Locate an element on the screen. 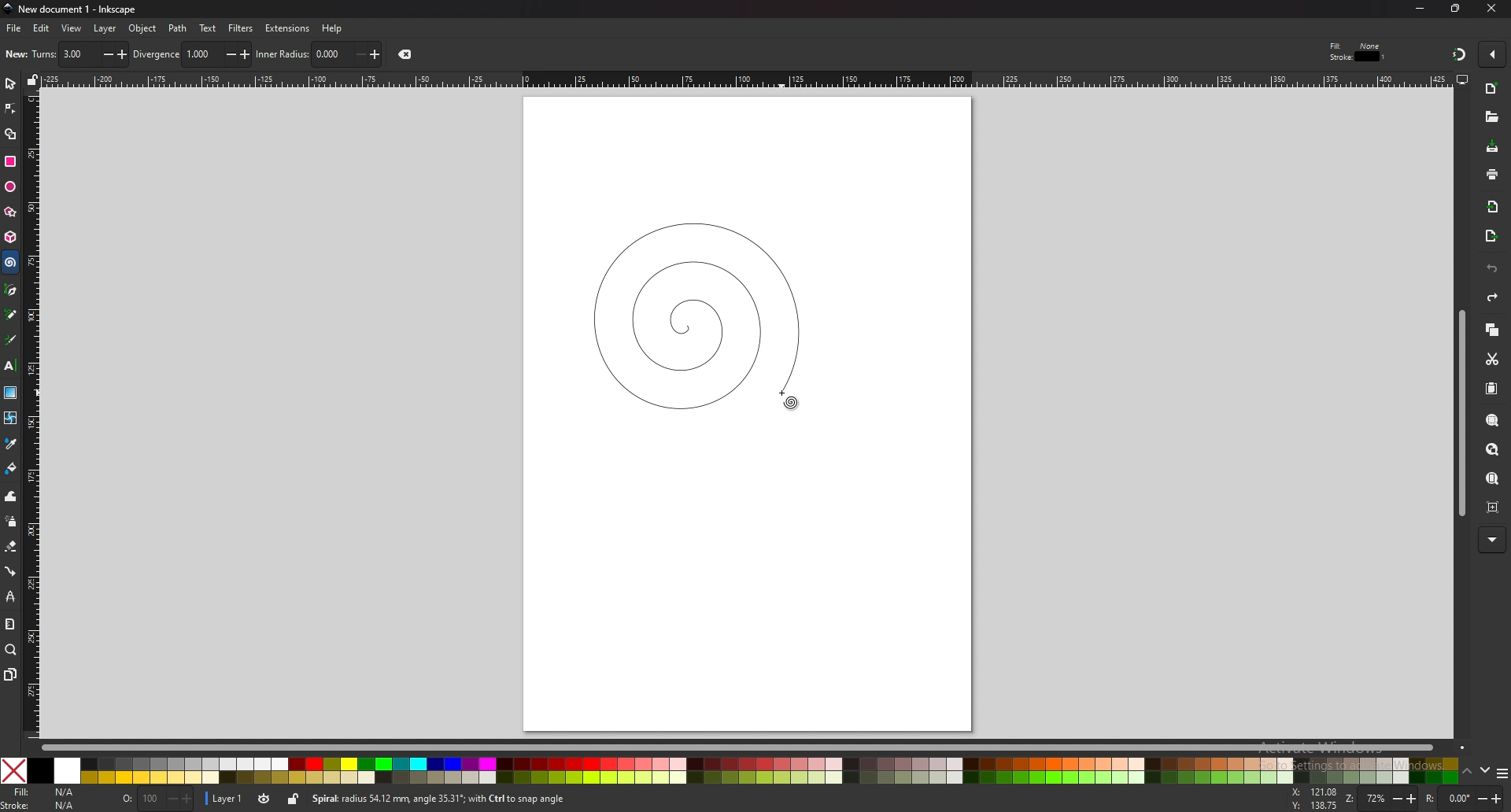 This screenshot has width=1511, height=812. up is located at coordinates (1466, 770).